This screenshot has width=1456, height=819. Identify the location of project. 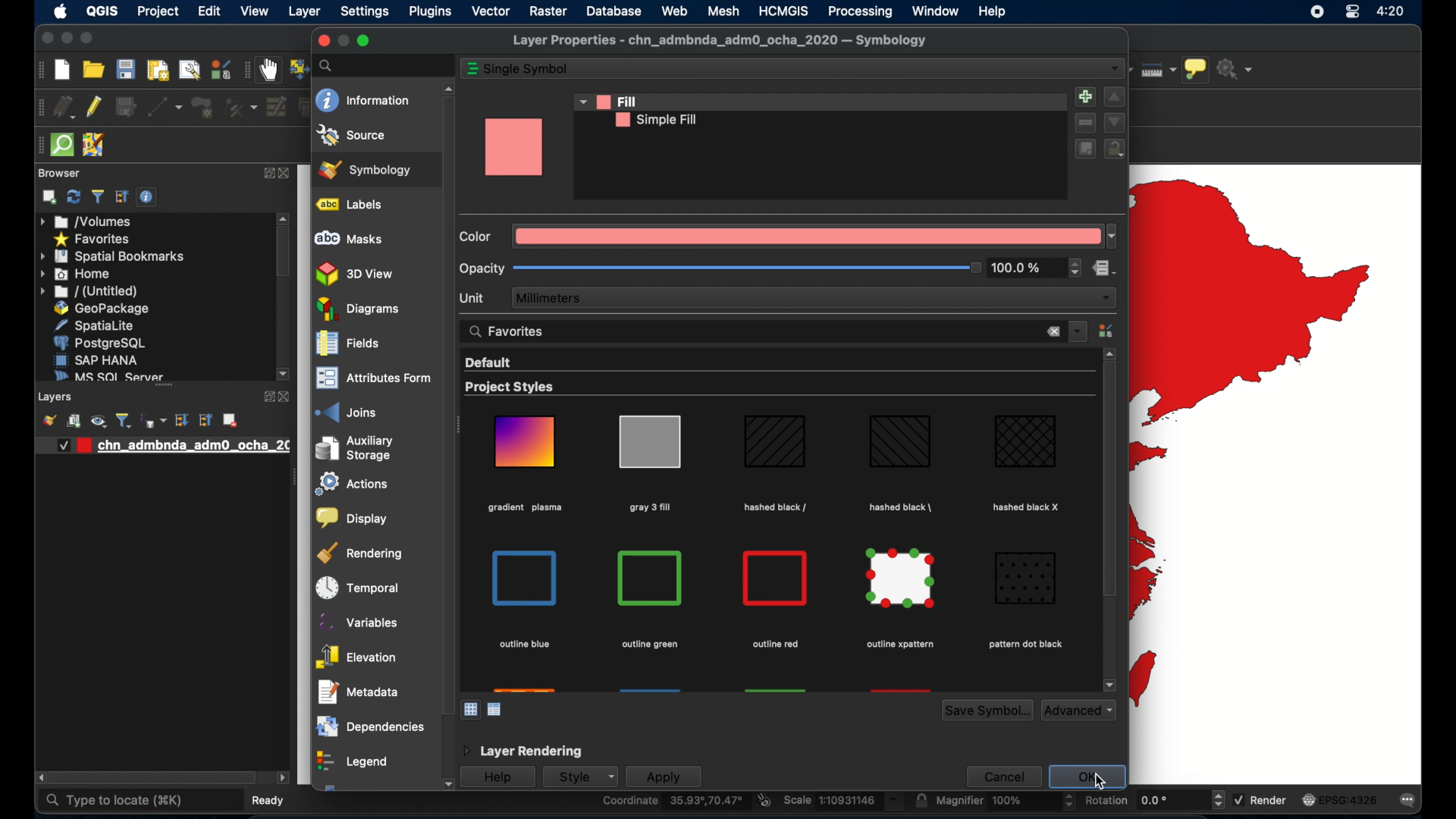
(157, 13).